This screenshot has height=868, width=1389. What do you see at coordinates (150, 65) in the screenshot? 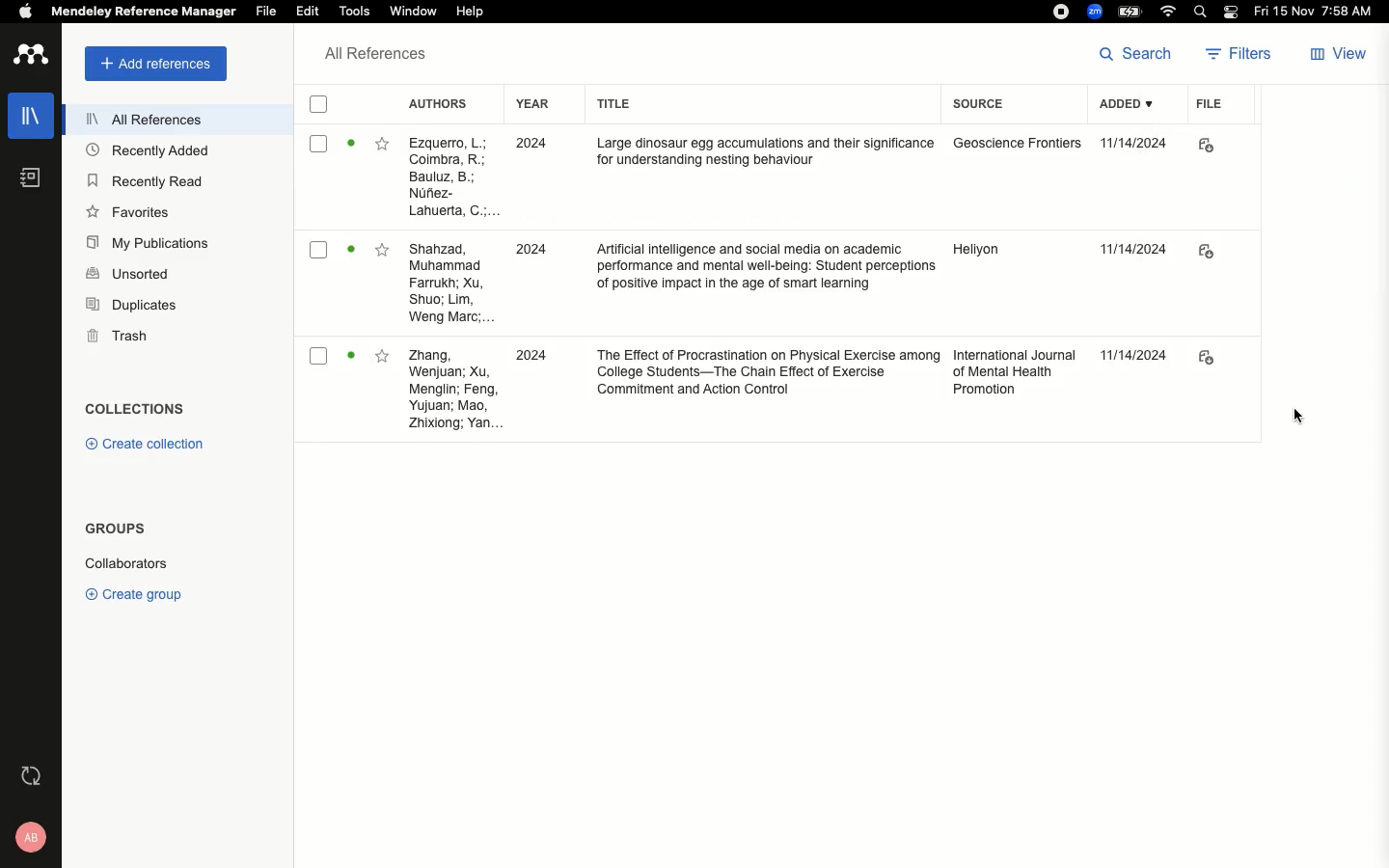
I see `Add references` at bounding box center [150, 65].